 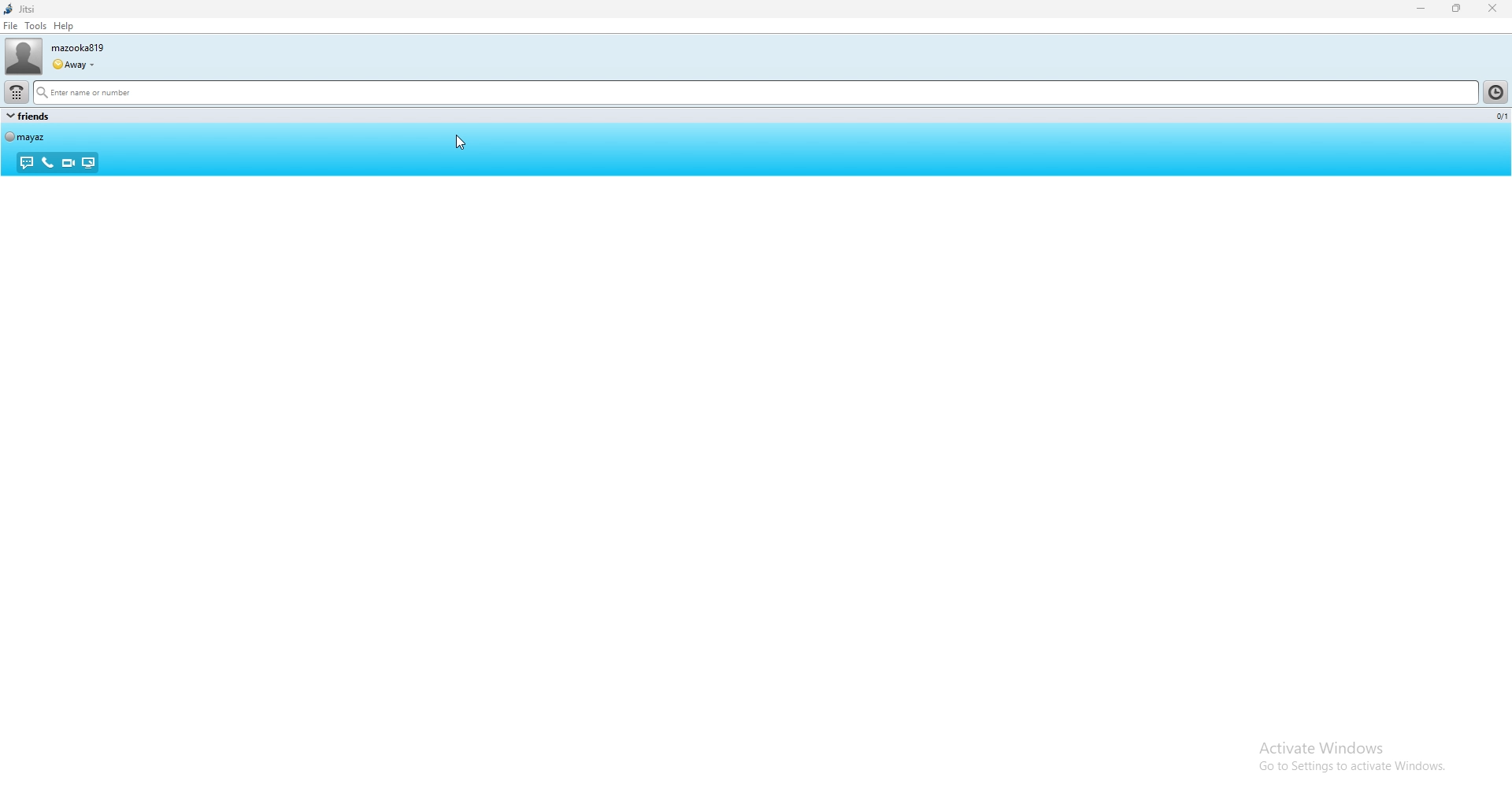 I want to click on share desktop, so click(x=87, y=163).